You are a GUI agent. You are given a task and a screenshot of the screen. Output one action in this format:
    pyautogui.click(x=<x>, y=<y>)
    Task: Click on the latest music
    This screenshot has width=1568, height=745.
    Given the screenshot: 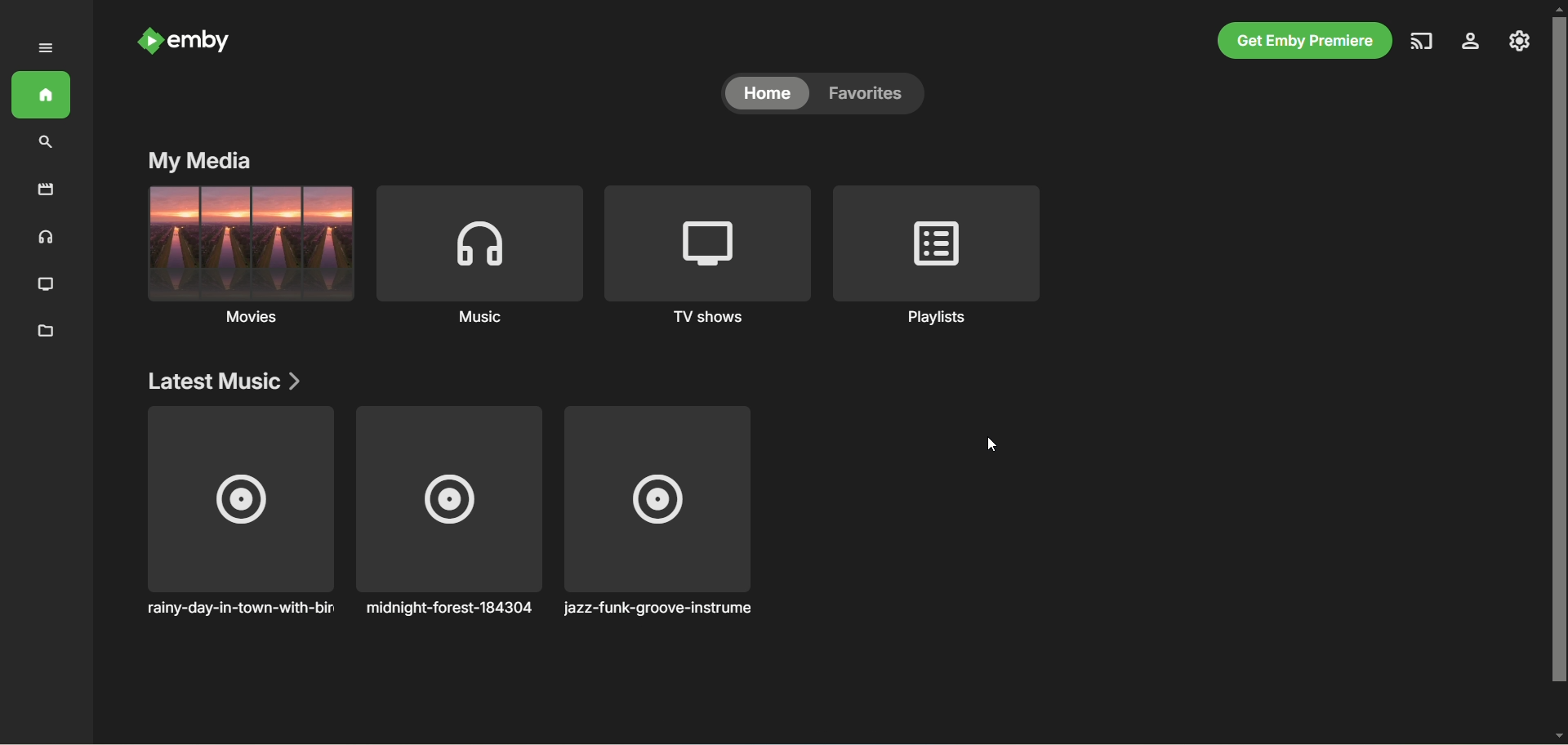 What is the action you would take?
    pyautogui.click(x=224, y=381)
    